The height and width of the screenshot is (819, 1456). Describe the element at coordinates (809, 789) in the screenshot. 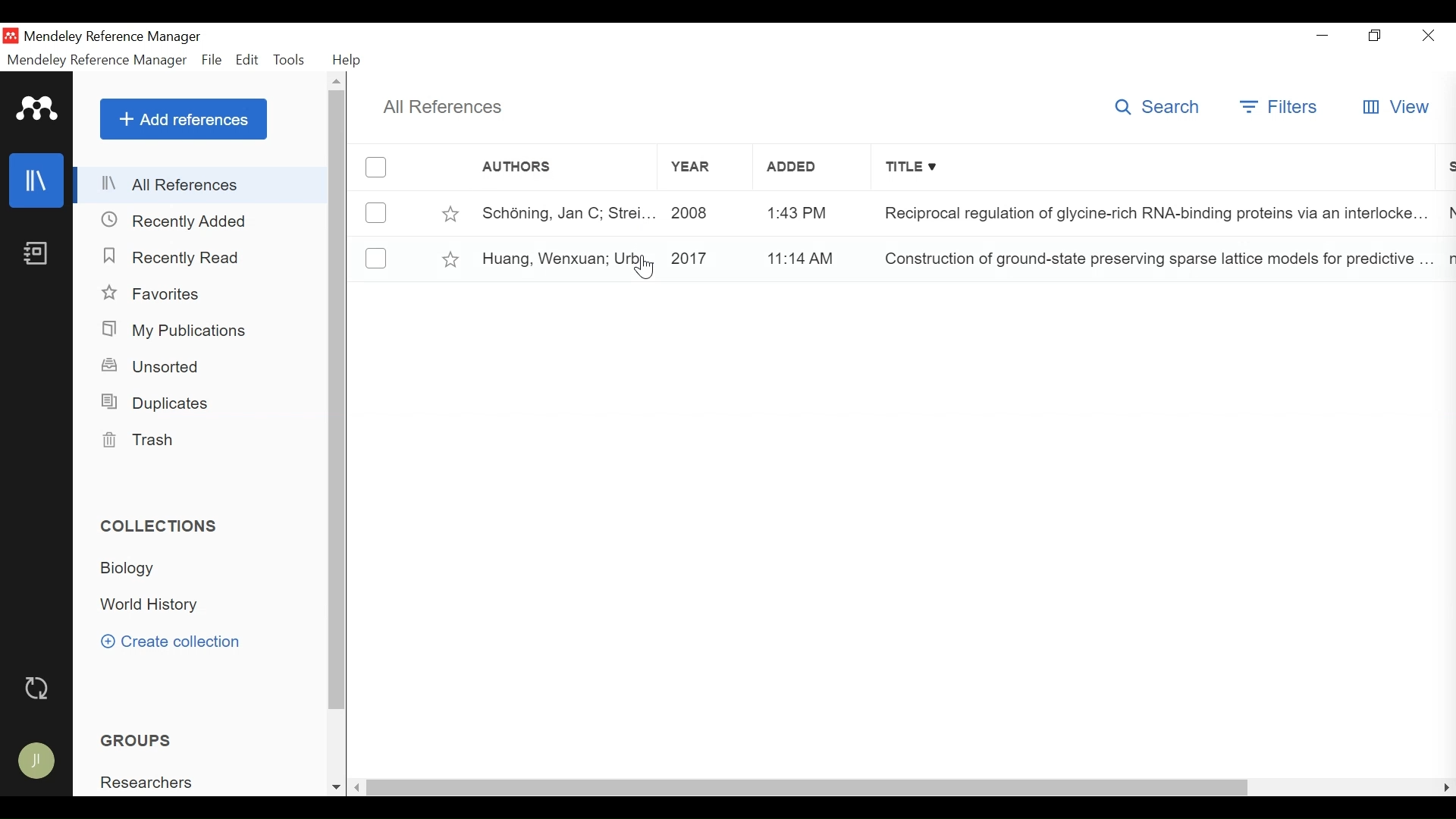

I see `Vertical Scroll bar` at that location.